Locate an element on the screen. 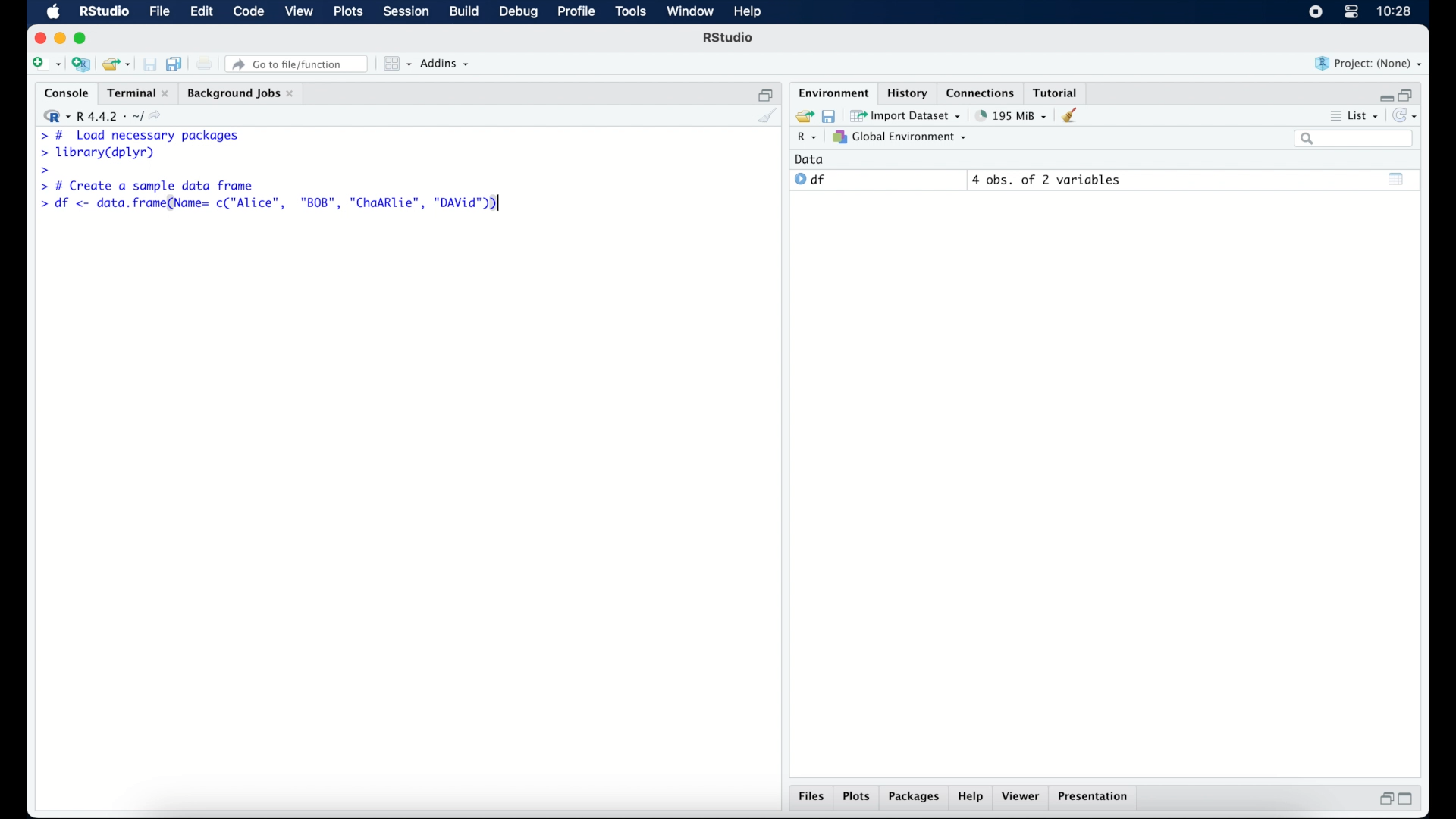 Image resolution: width=1456 pixels, height=819 pixels. environment is located at coordinates (831, 92).